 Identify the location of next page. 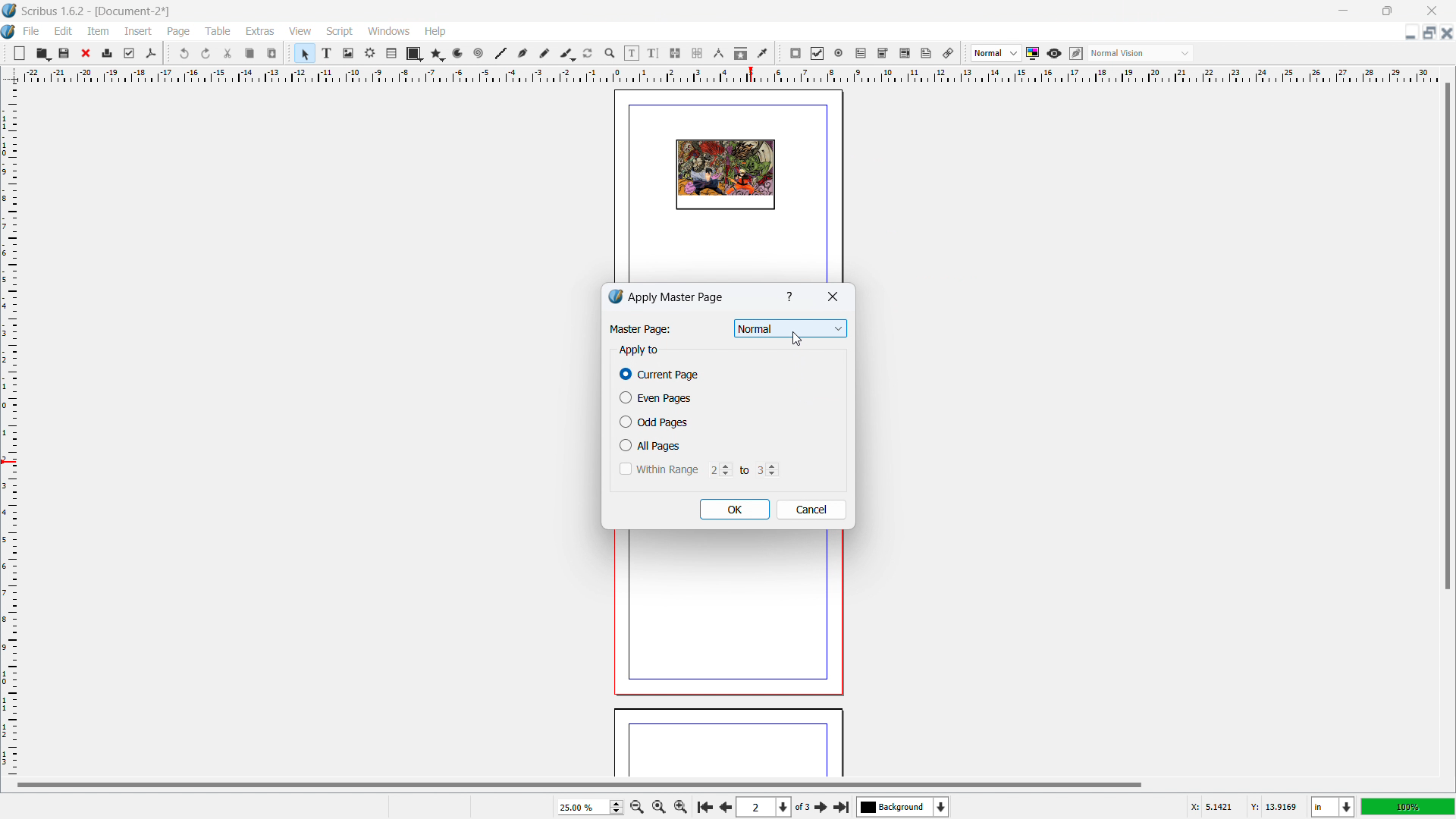
(822, 806).